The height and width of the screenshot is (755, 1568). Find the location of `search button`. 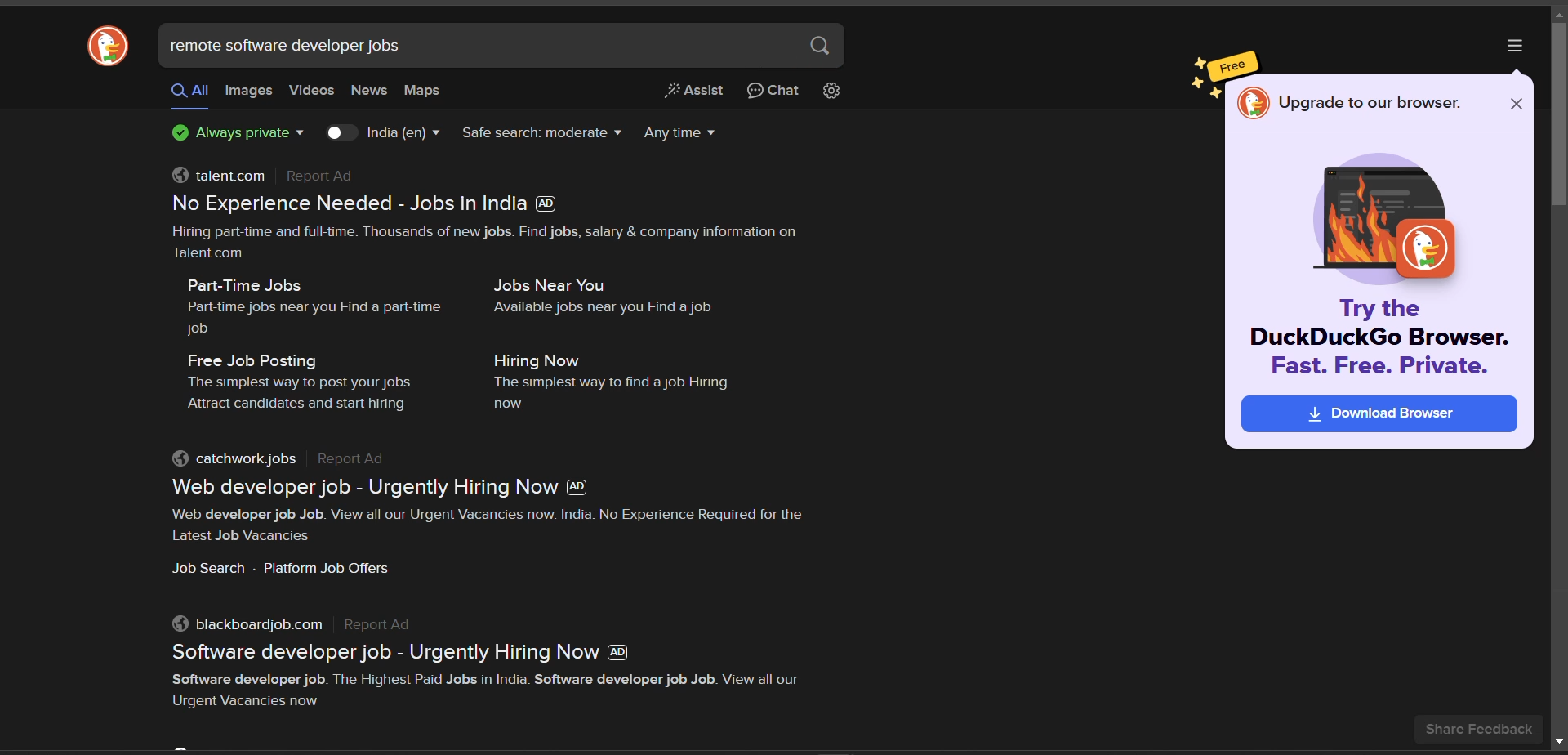

search button is located at coordinates (818, 44).